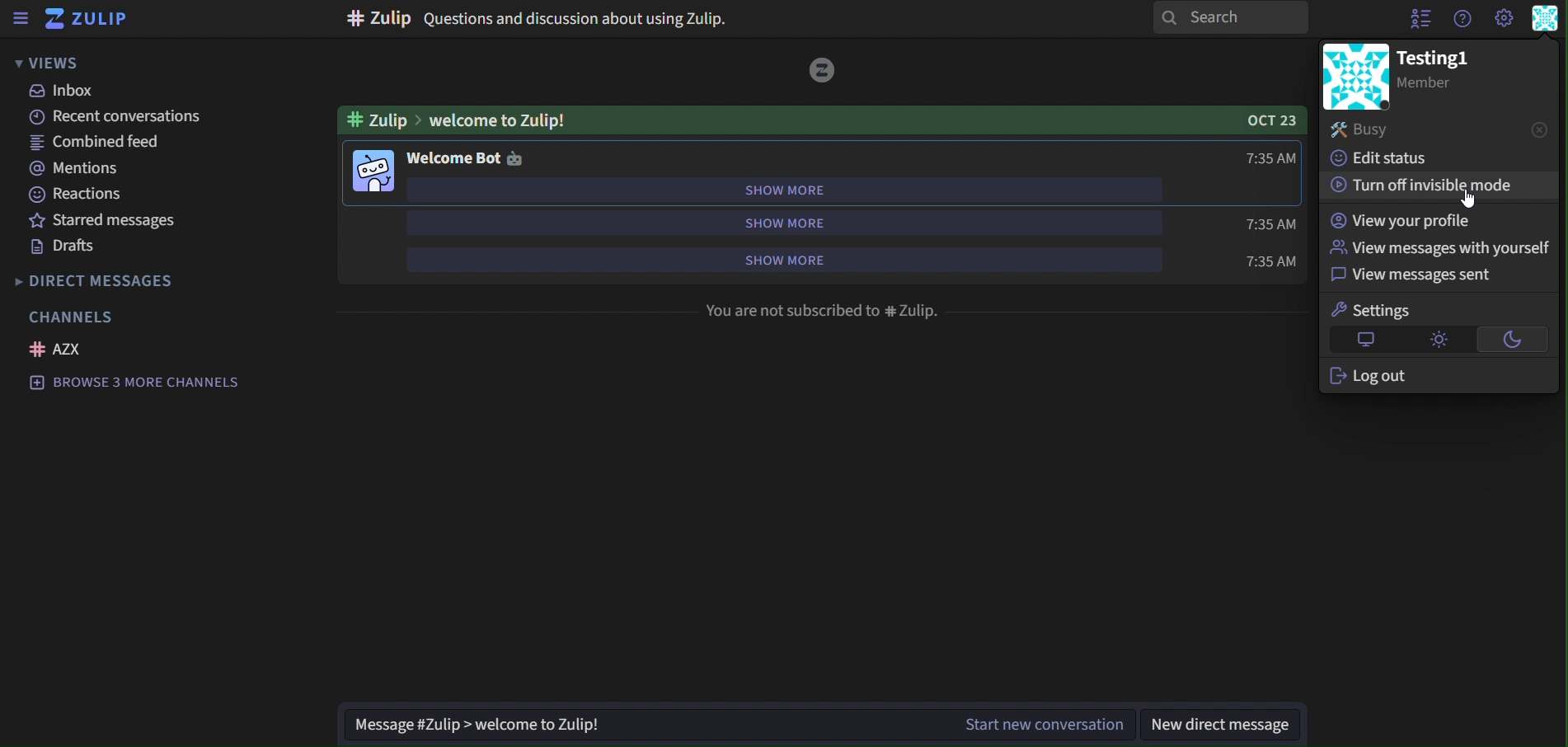 This screenshot has width=1568, height=747. What do you see at coordinates (1504, 19) in the screenshot?
I see `main menu` at bounding box center [1504, 19].